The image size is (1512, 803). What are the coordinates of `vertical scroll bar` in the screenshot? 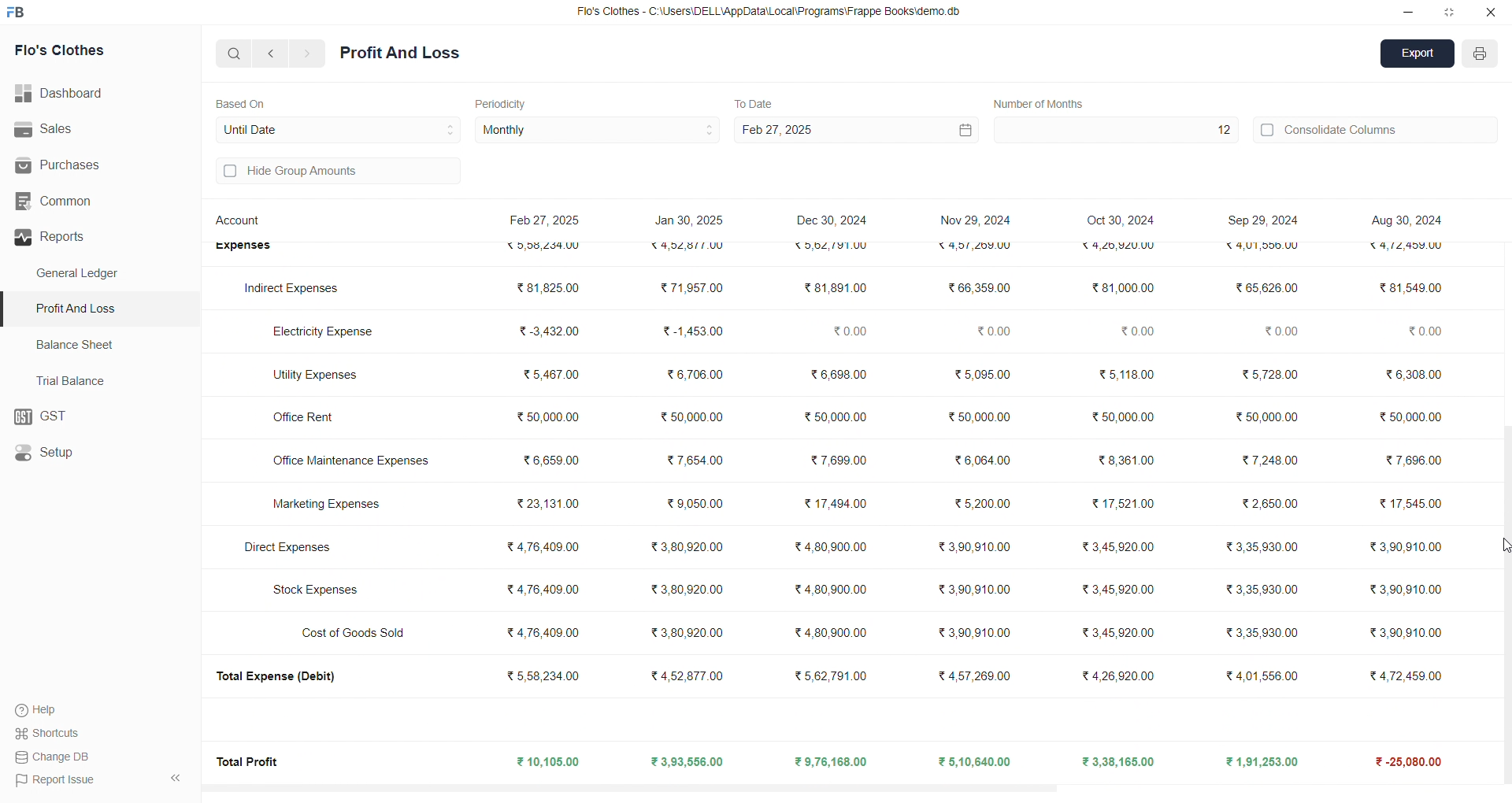 It's located at (1503, 499).